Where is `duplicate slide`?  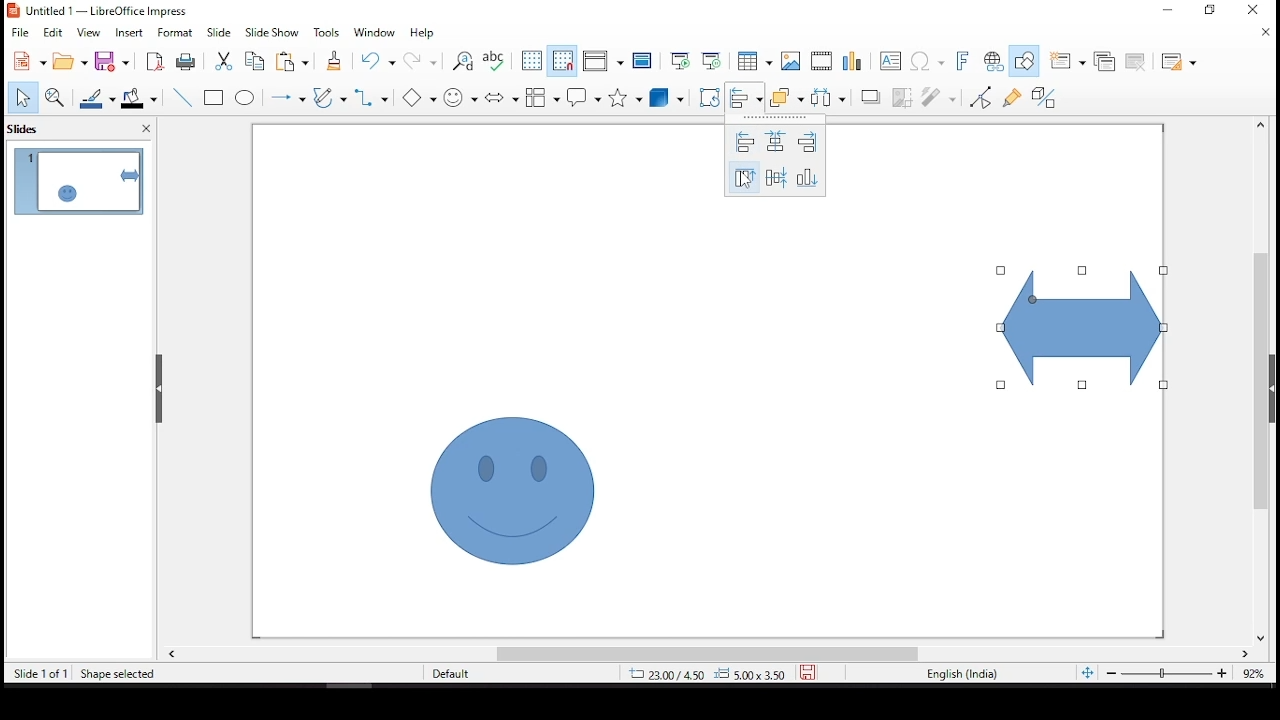
duplicate slide is located at coordinates (1106, 59).